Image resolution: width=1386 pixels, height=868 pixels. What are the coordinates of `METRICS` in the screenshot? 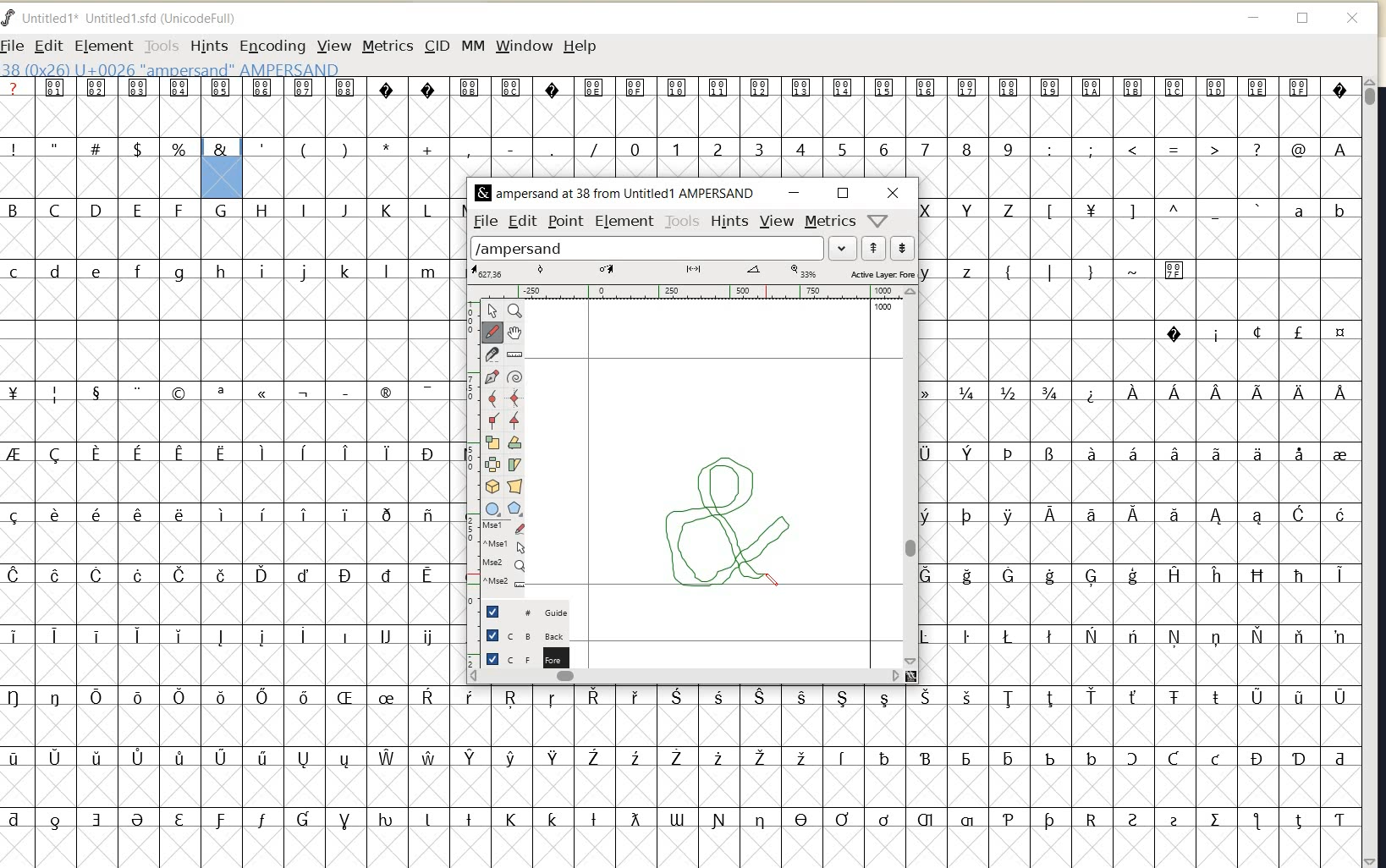 It's located at (386, 47).